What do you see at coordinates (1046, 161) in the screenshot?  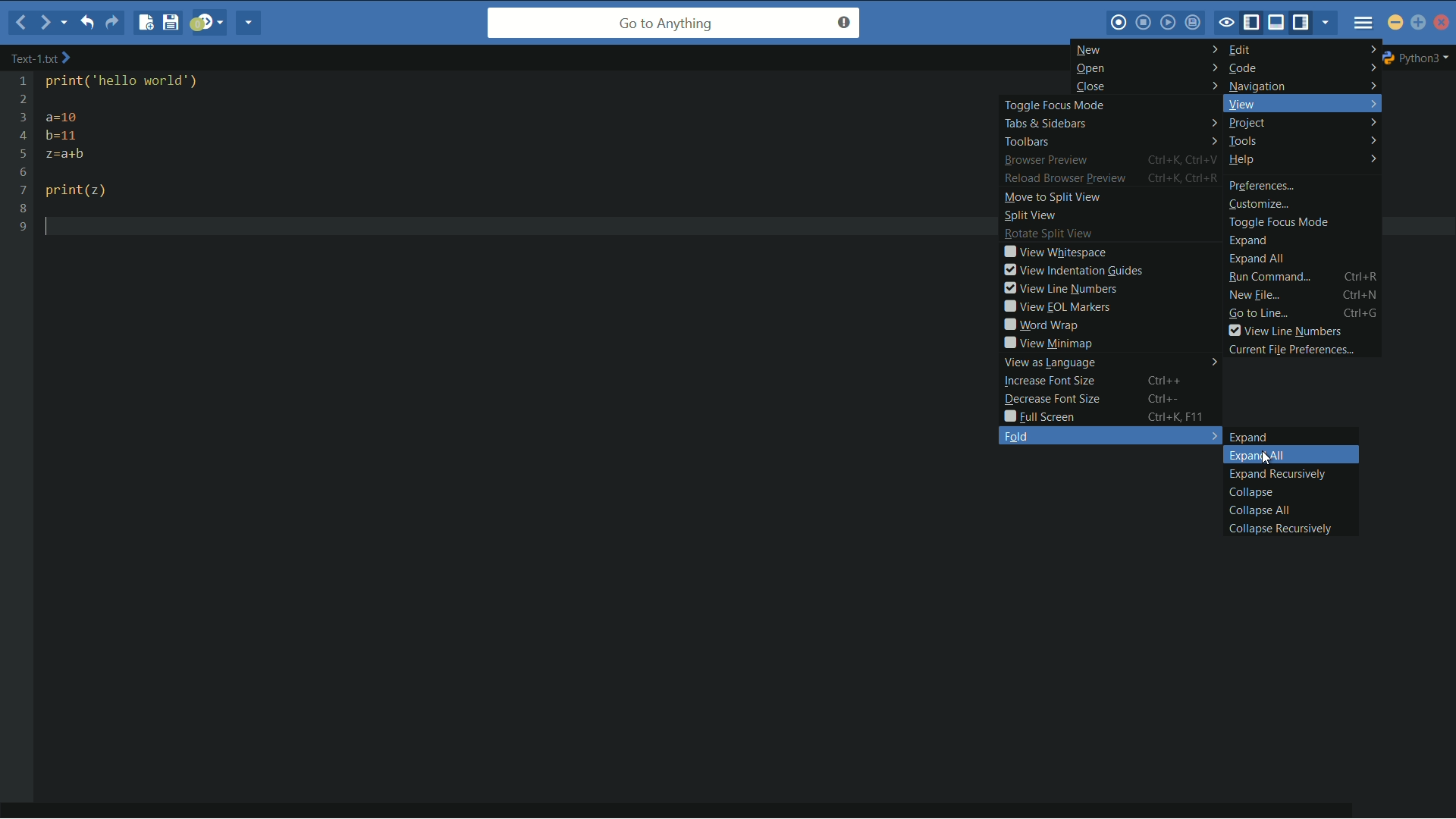 I see `browser preview` at bounding box center [1046, 161].